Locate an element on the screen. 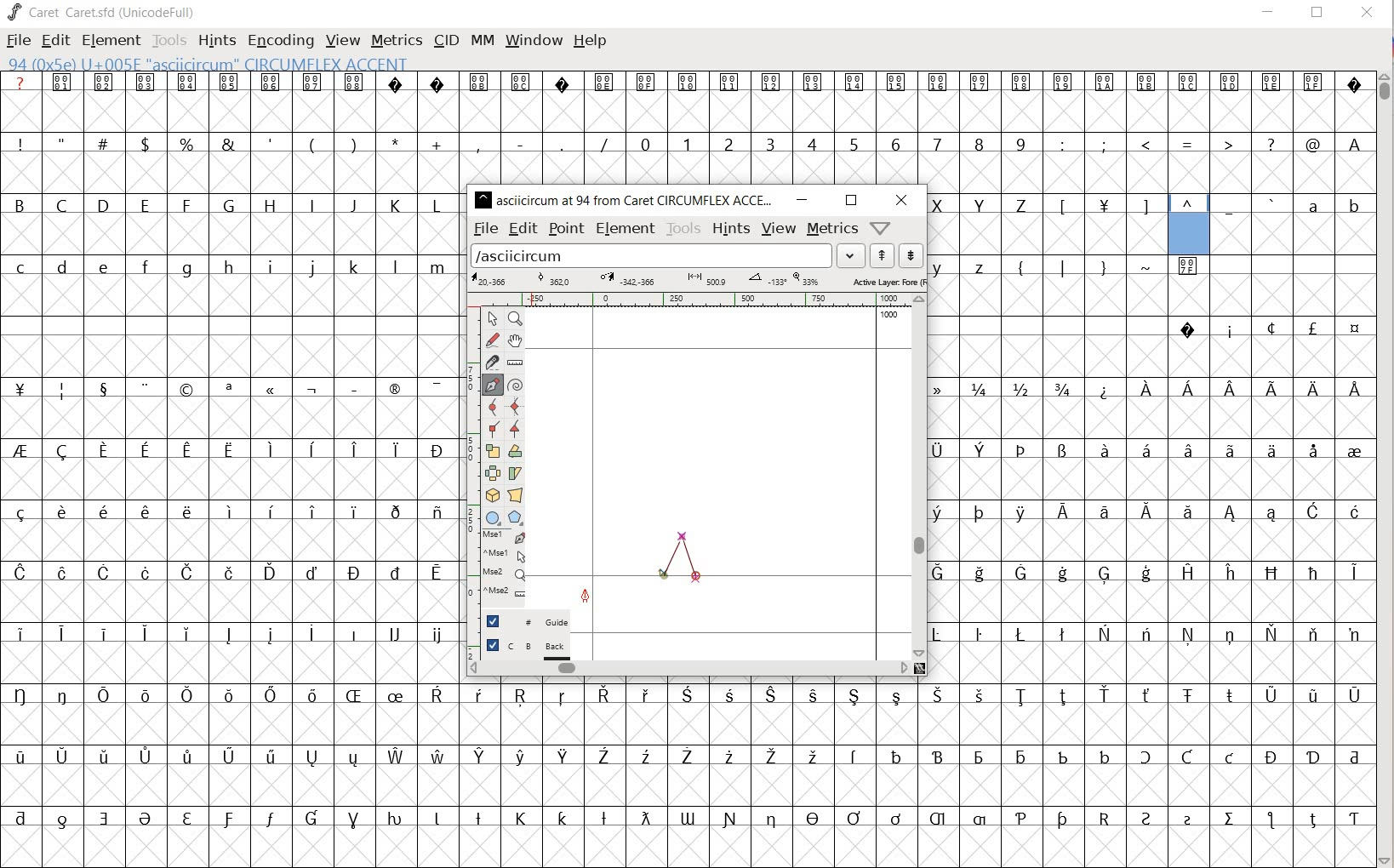 This screenshot has height=868, width=1394. SCROLLBAR is located at coordinates (1385, 467).